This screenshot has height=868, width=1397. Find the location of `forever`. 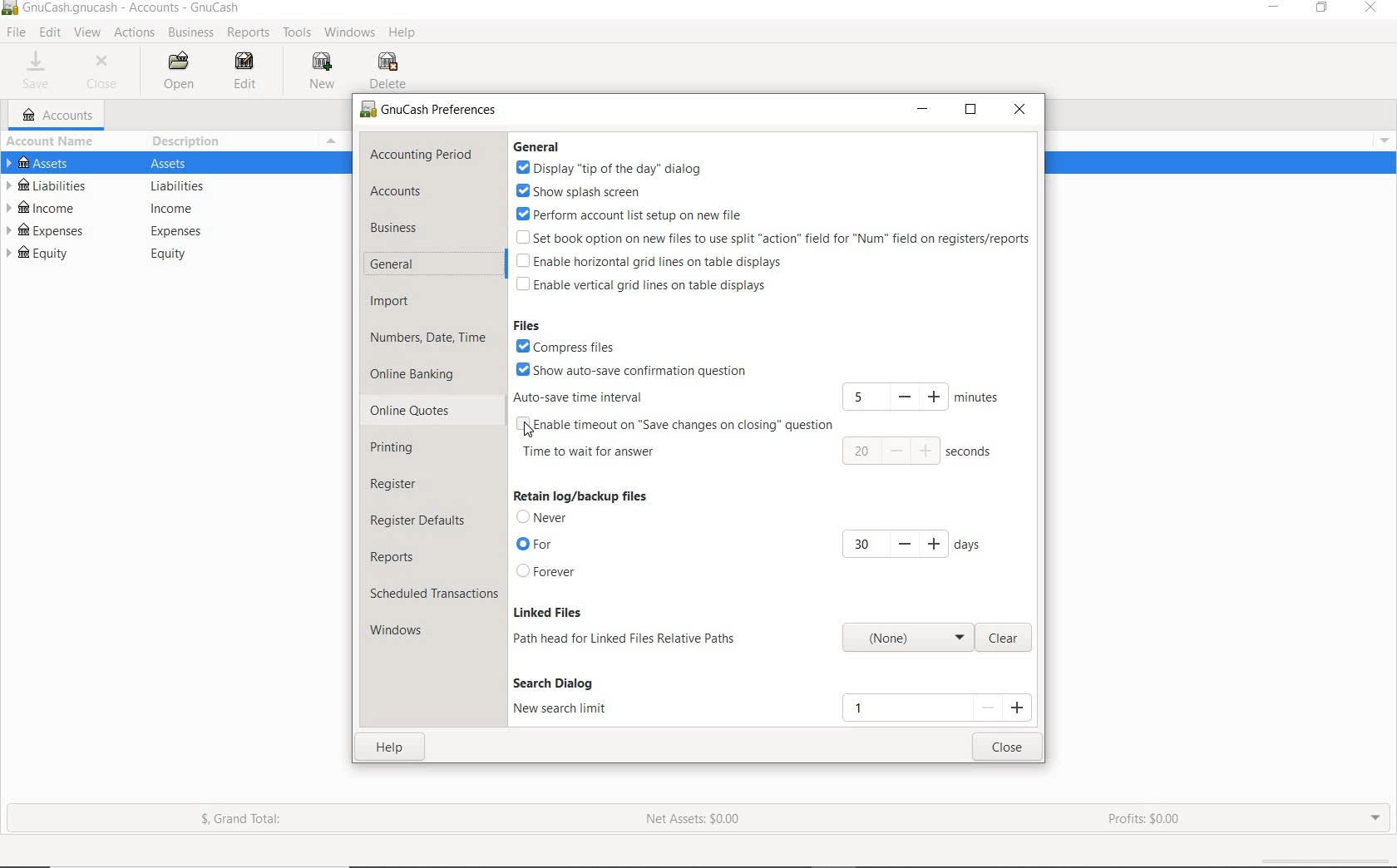

forever is located at coordinates (550, 572).